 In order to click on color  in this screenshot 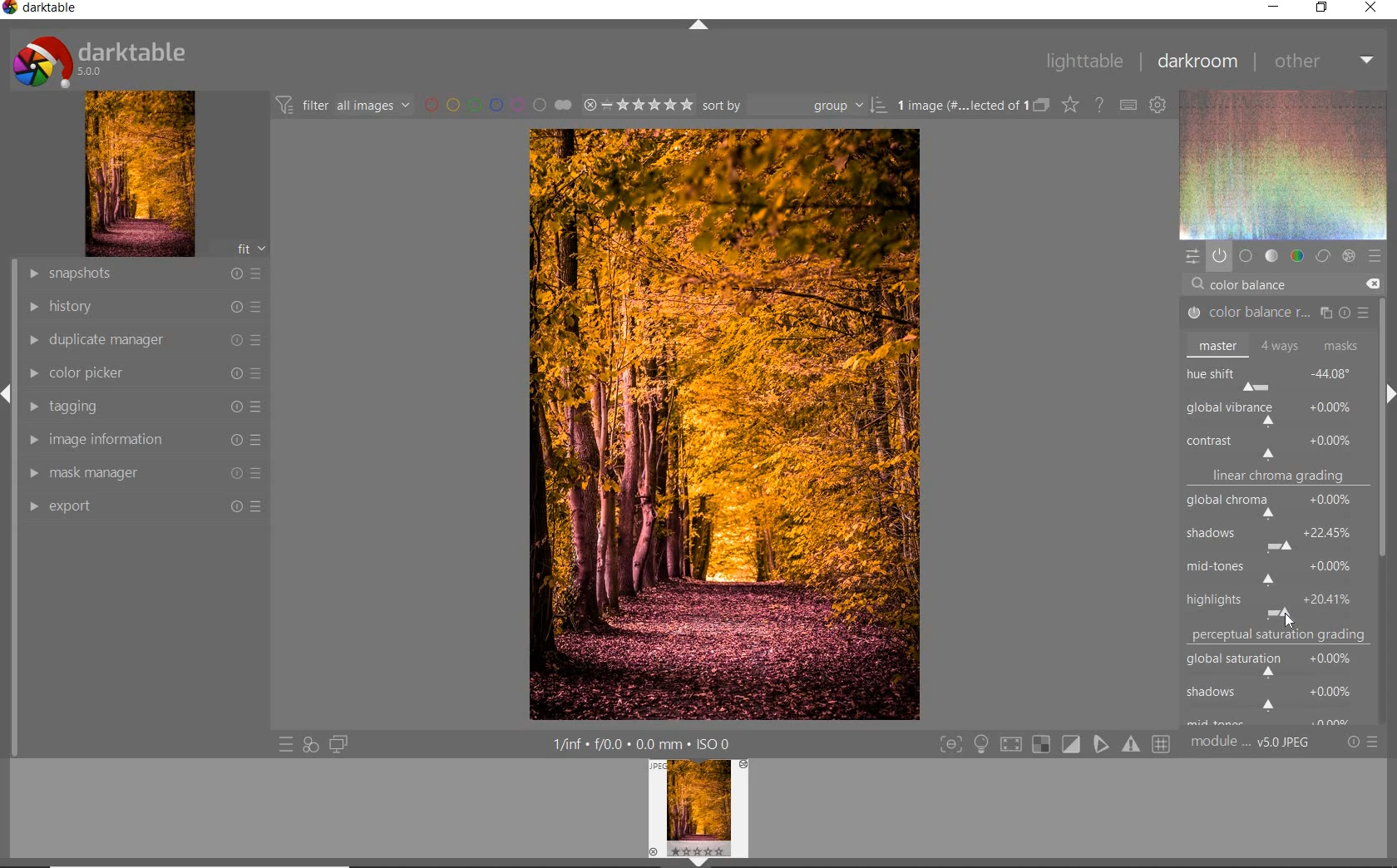, I will do `click(1296, 256)`.